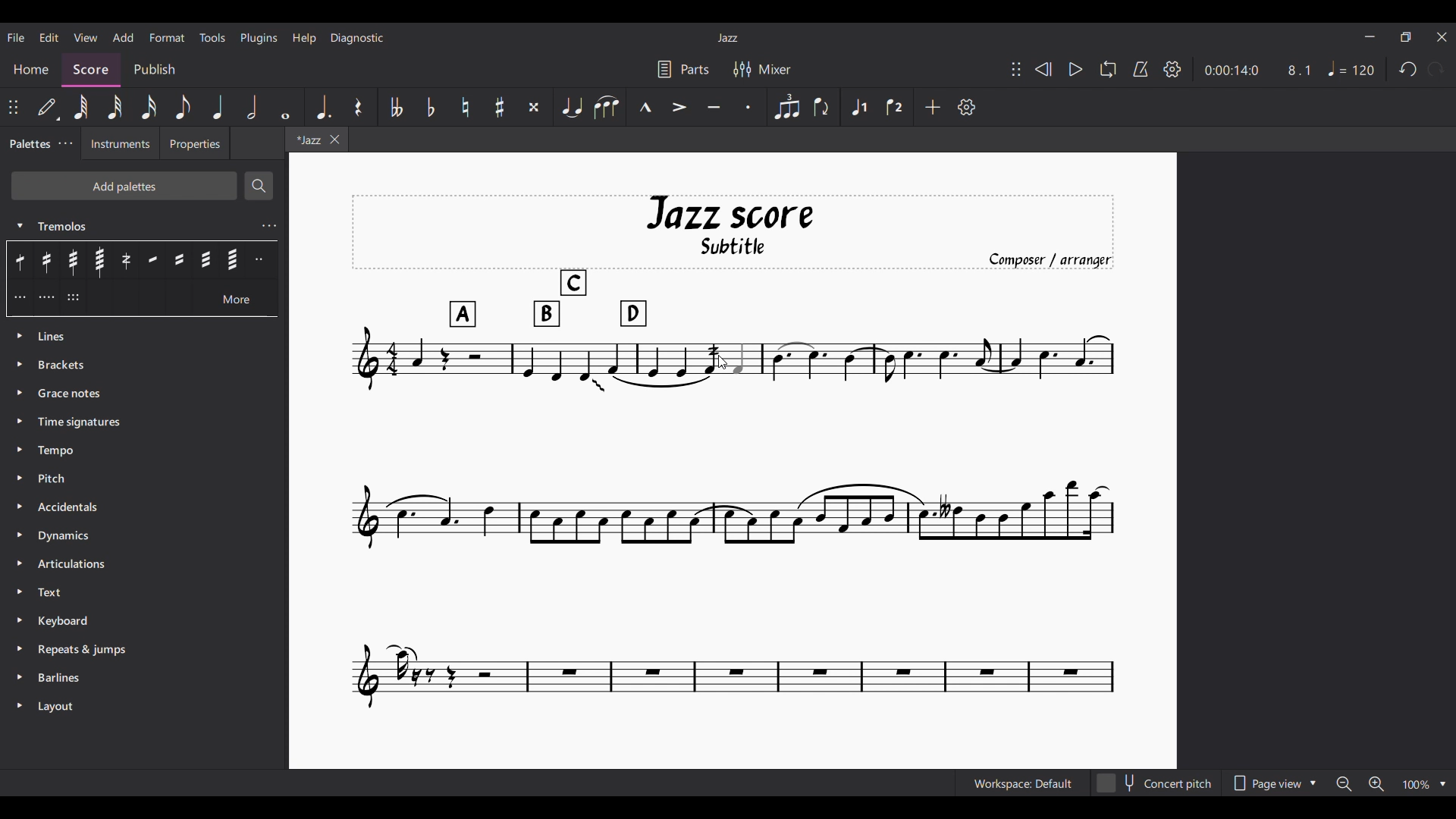 This screenshot has height=819, width=1456. What do you see at coordinates (714, 107) in the screenshot?
I see `Tenuto` at bounding box center [714, 107].